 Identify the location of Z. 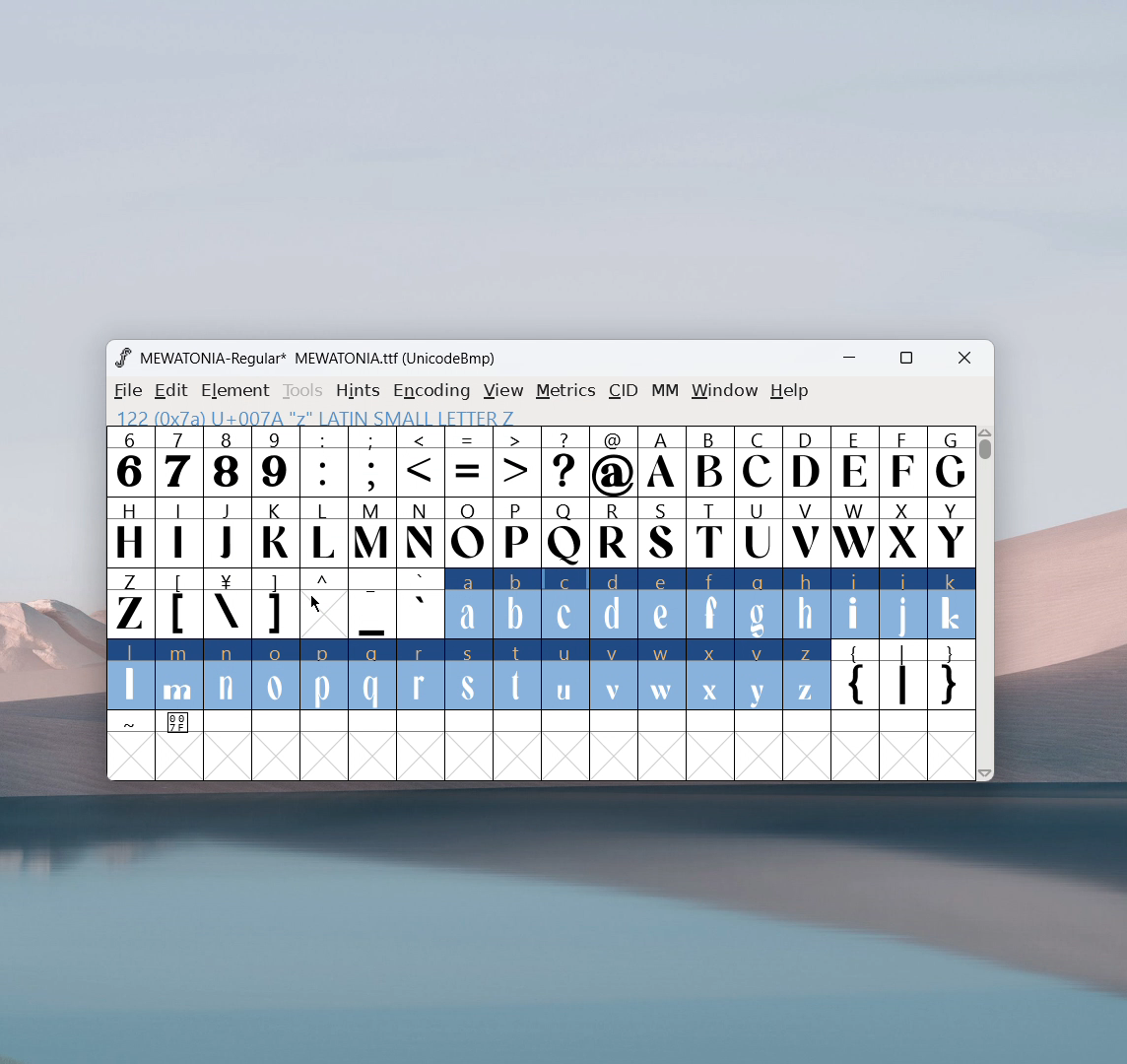
(129, 602).